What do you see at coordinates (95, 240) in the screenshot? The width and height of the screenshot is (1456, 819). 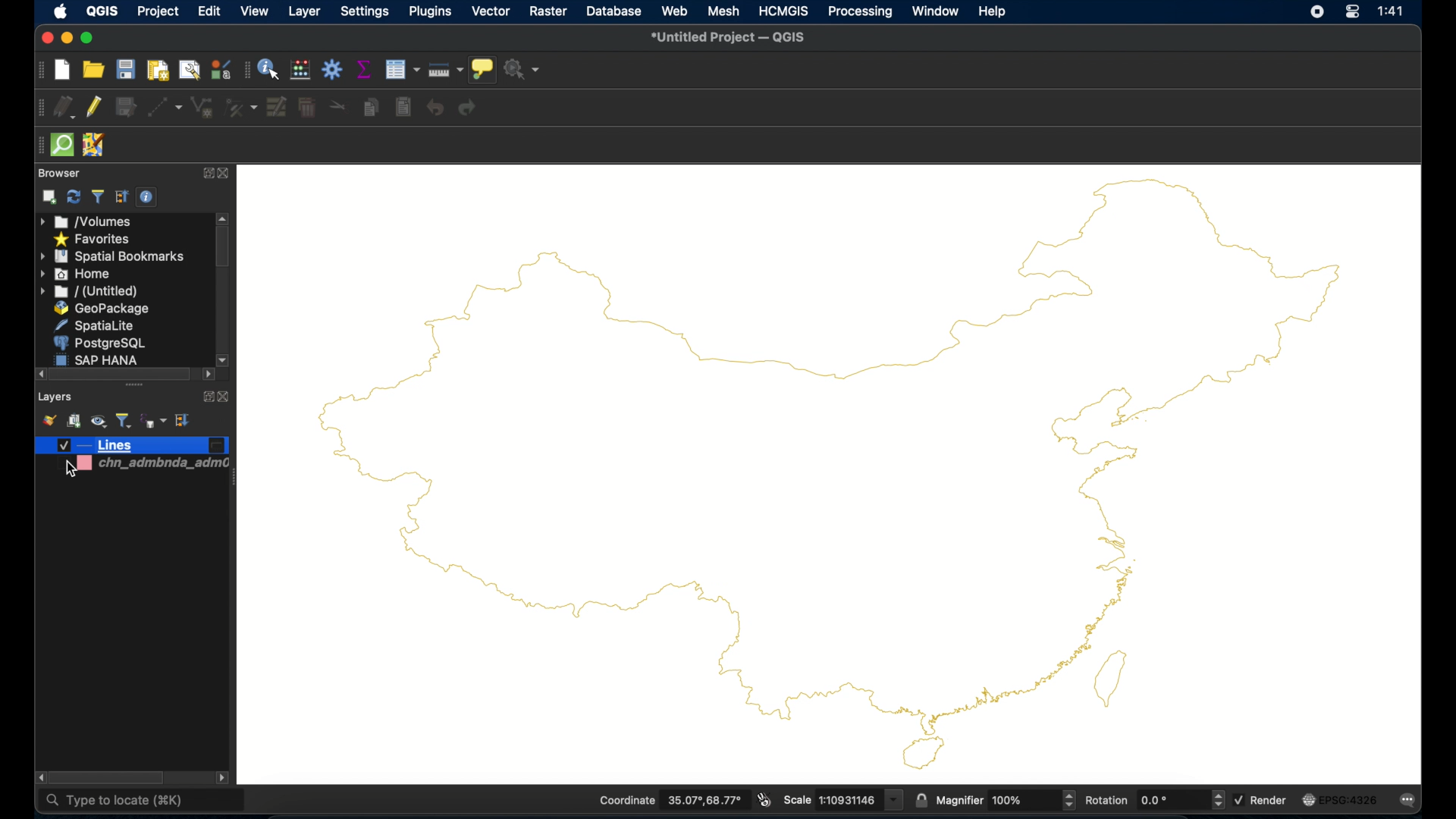 I see `favorites` at bounding box center [95, 240].